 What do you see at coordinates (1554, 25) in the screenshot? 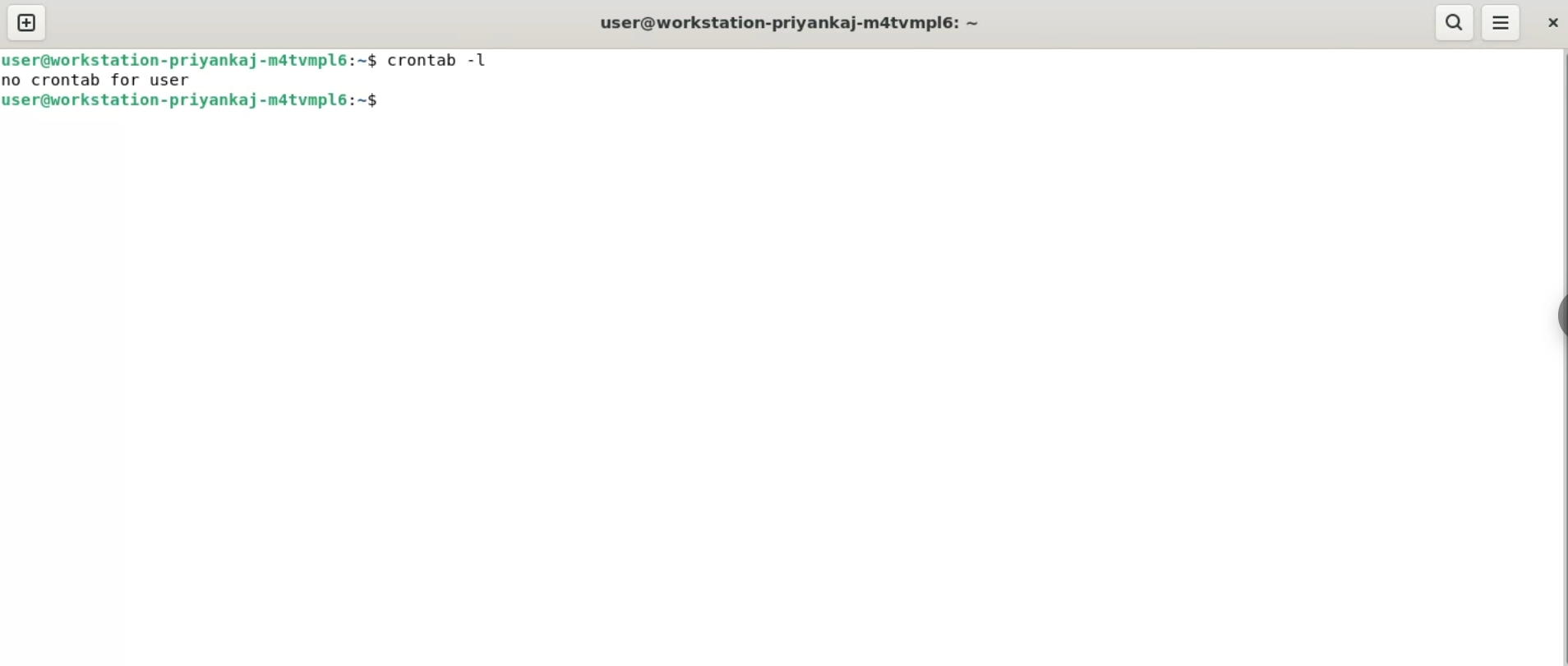
I see `close` at bounding box center [1554, 25].